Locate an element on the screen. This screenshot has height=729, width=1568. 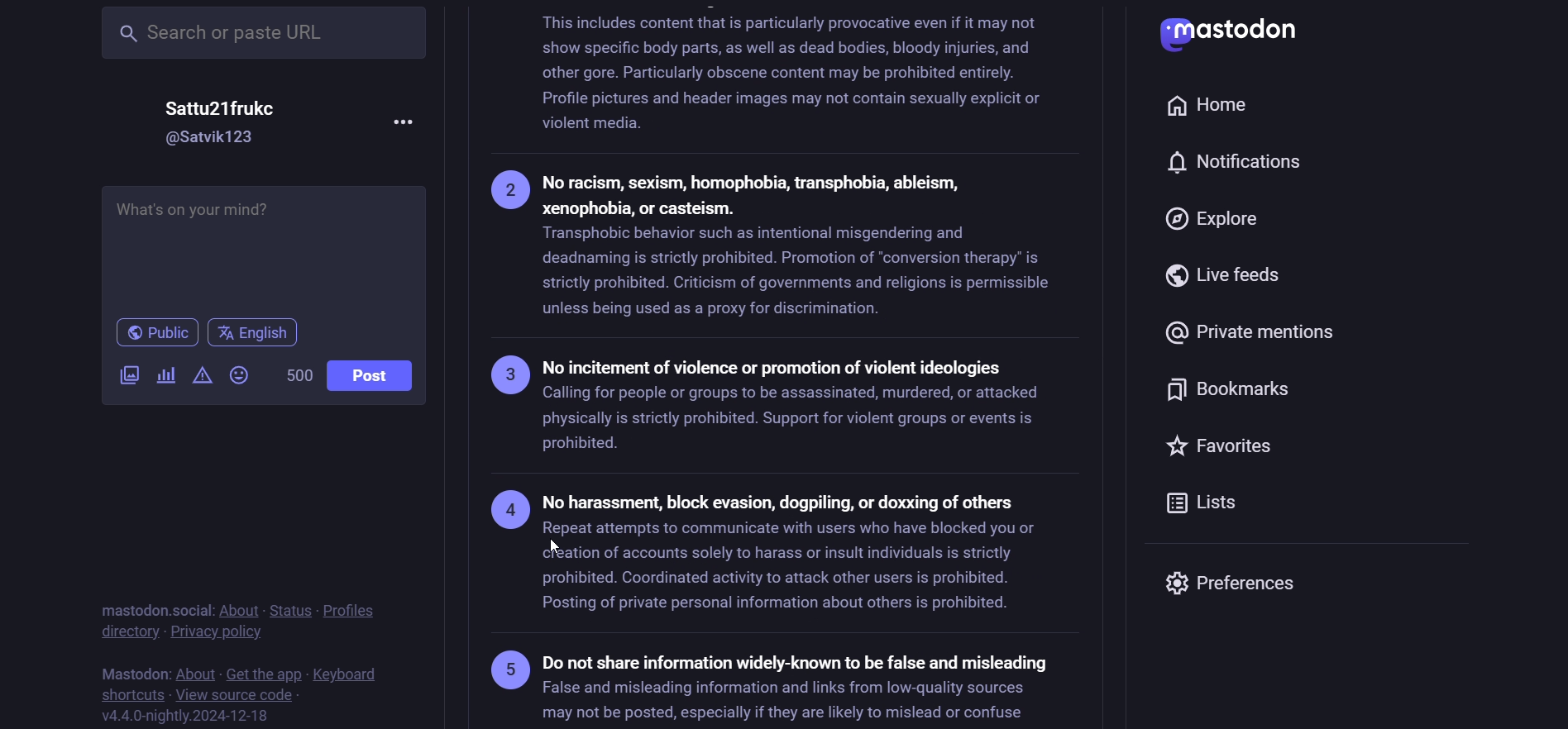
view source code is located at coordinates (234, 694).